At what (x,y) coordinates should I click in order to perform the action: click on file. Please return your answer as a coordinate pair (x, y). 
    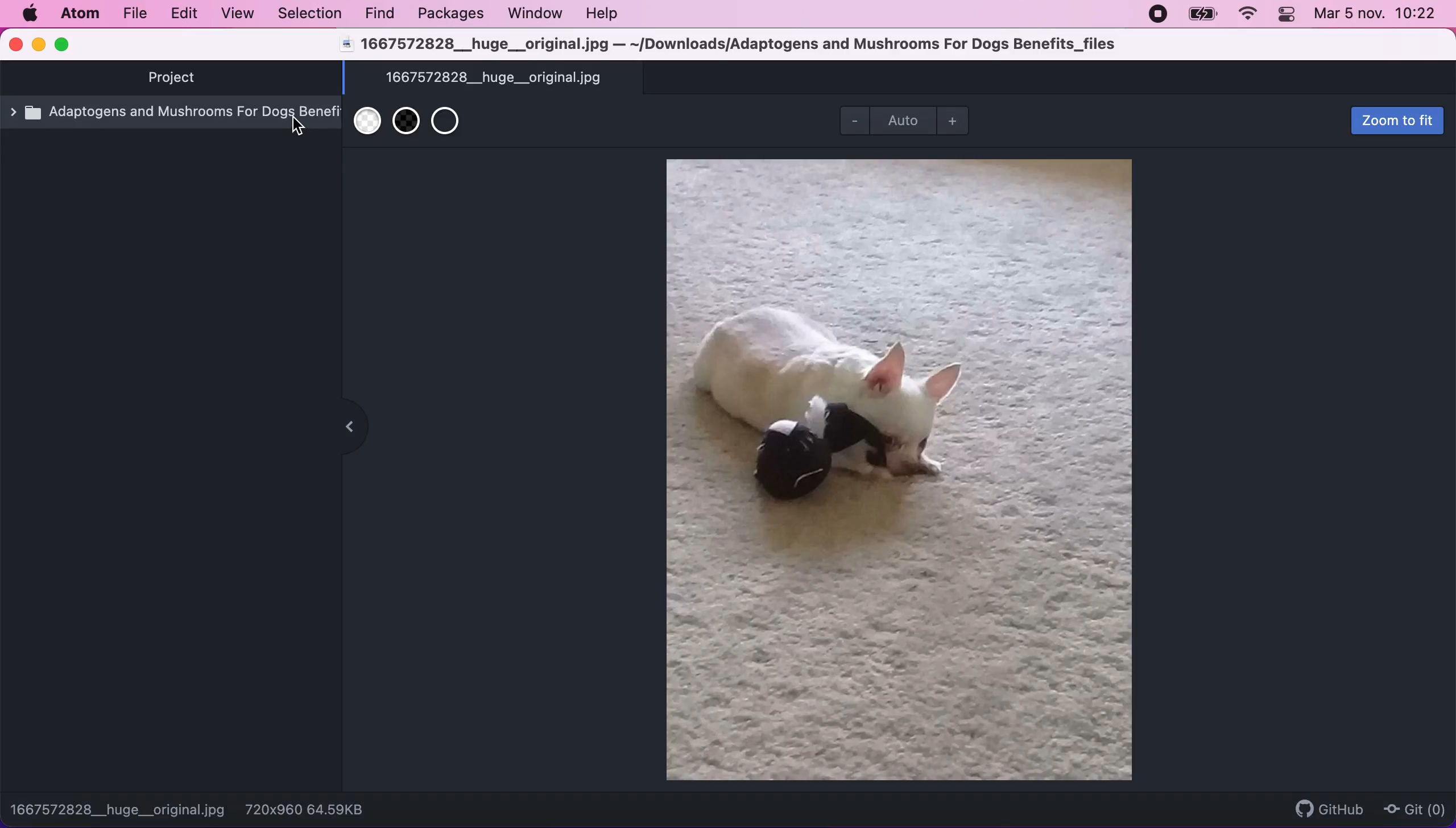
    Looking at the image, I should click on (133, 15).